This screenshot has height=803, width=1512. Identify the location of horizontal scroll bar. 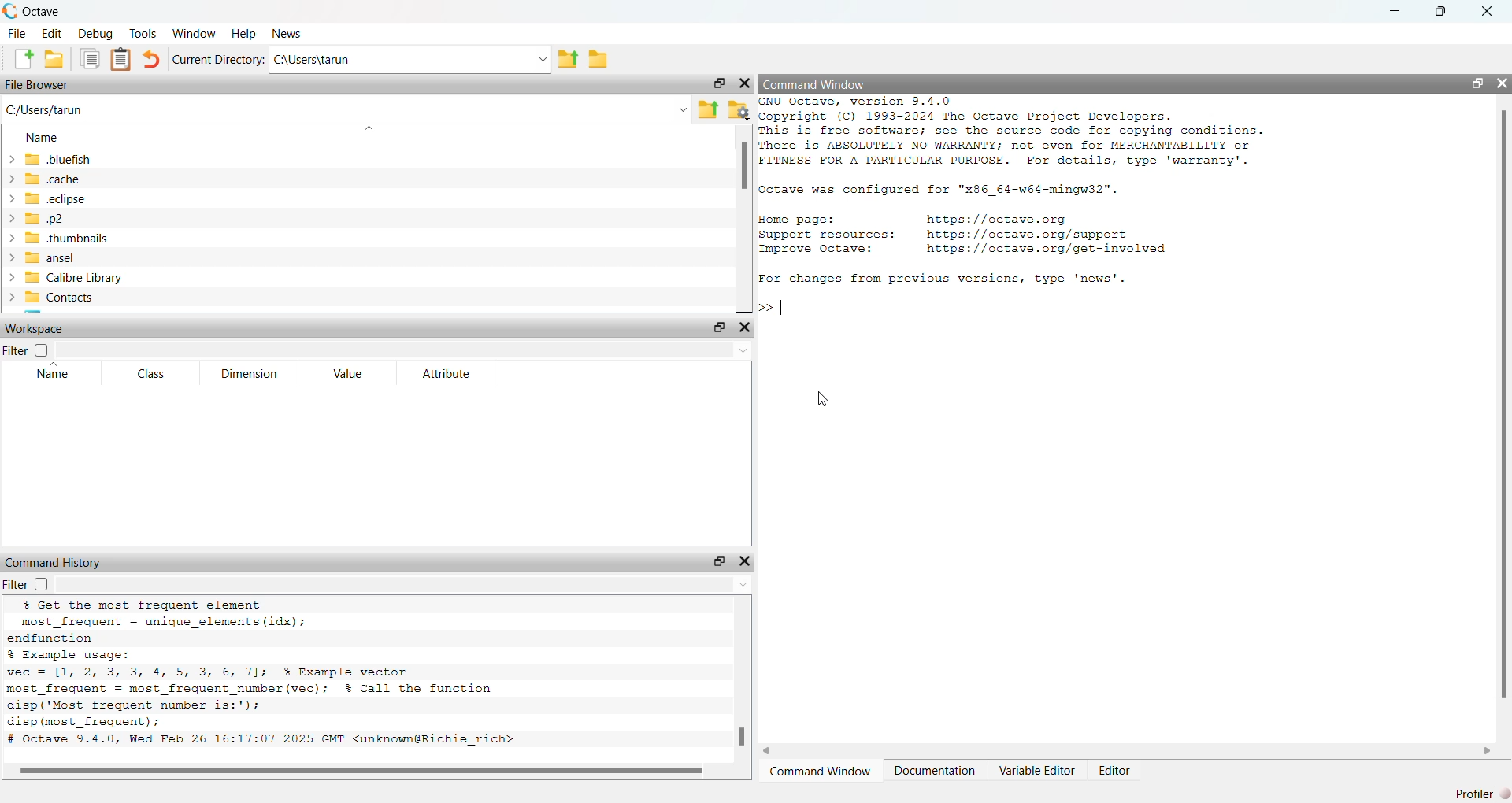
(367, 772).